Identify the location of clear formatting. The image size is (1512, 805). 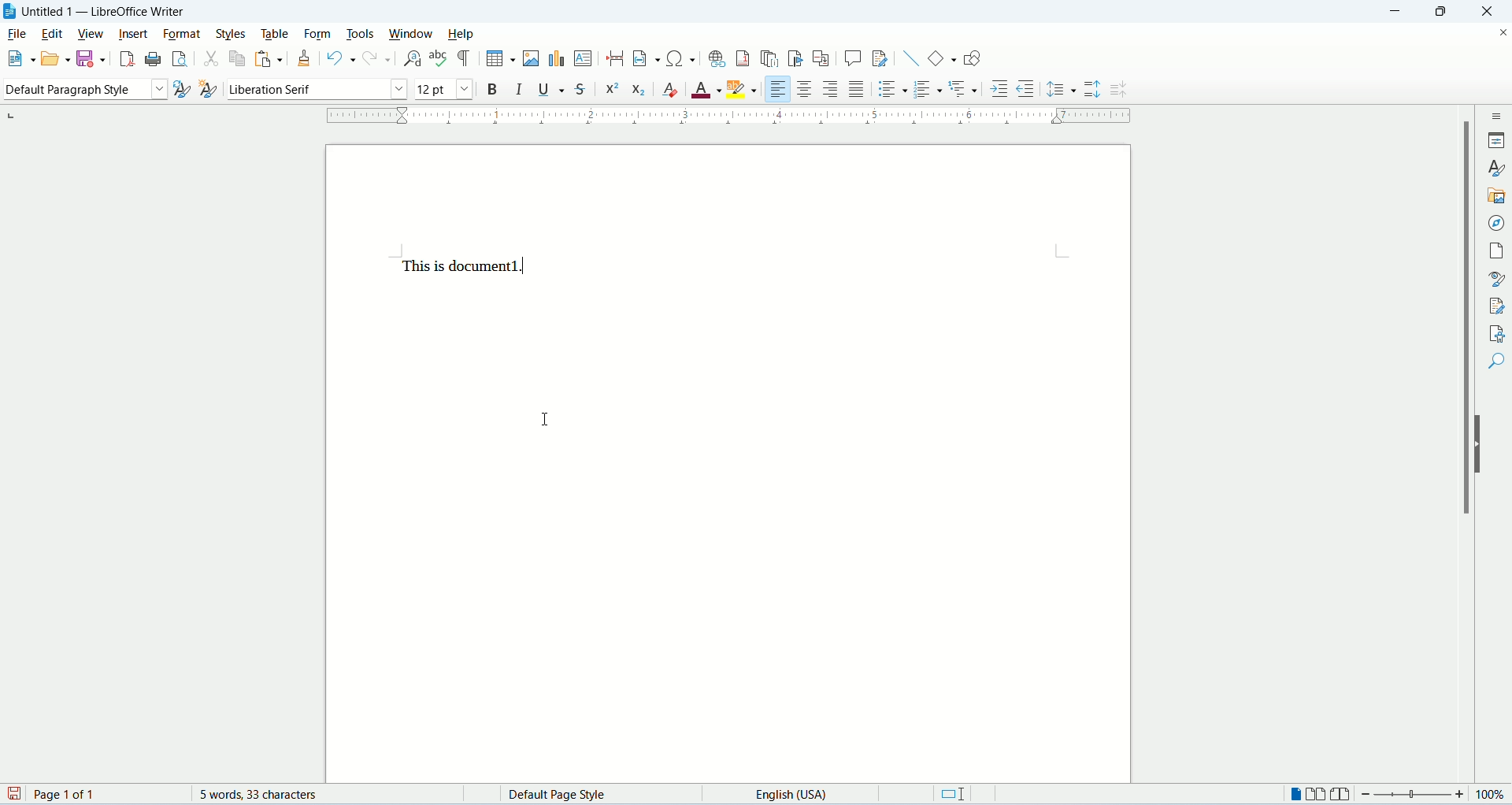
(672, 91).